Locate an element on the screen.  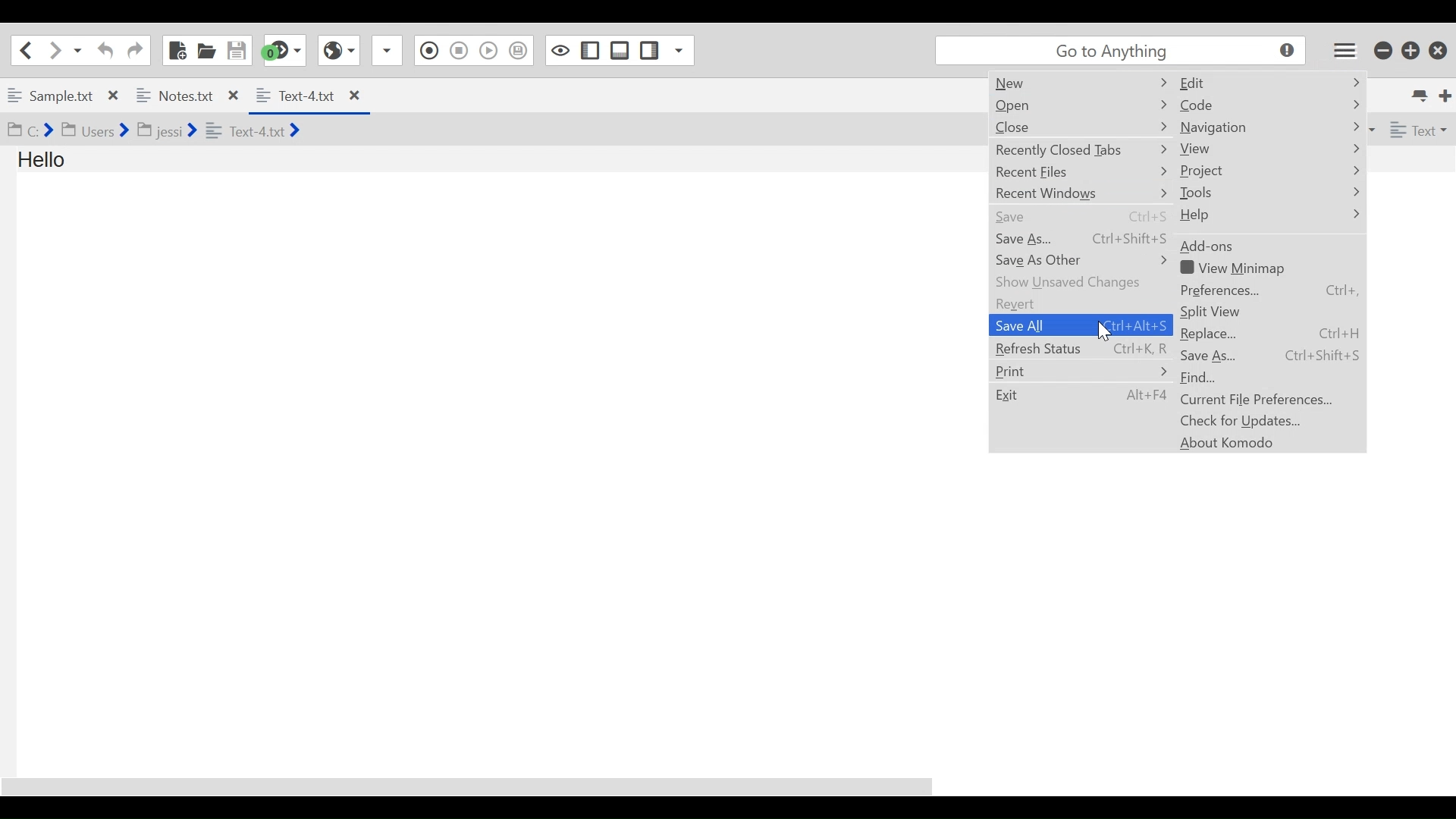
Share File is located at coordinates (388, 51).